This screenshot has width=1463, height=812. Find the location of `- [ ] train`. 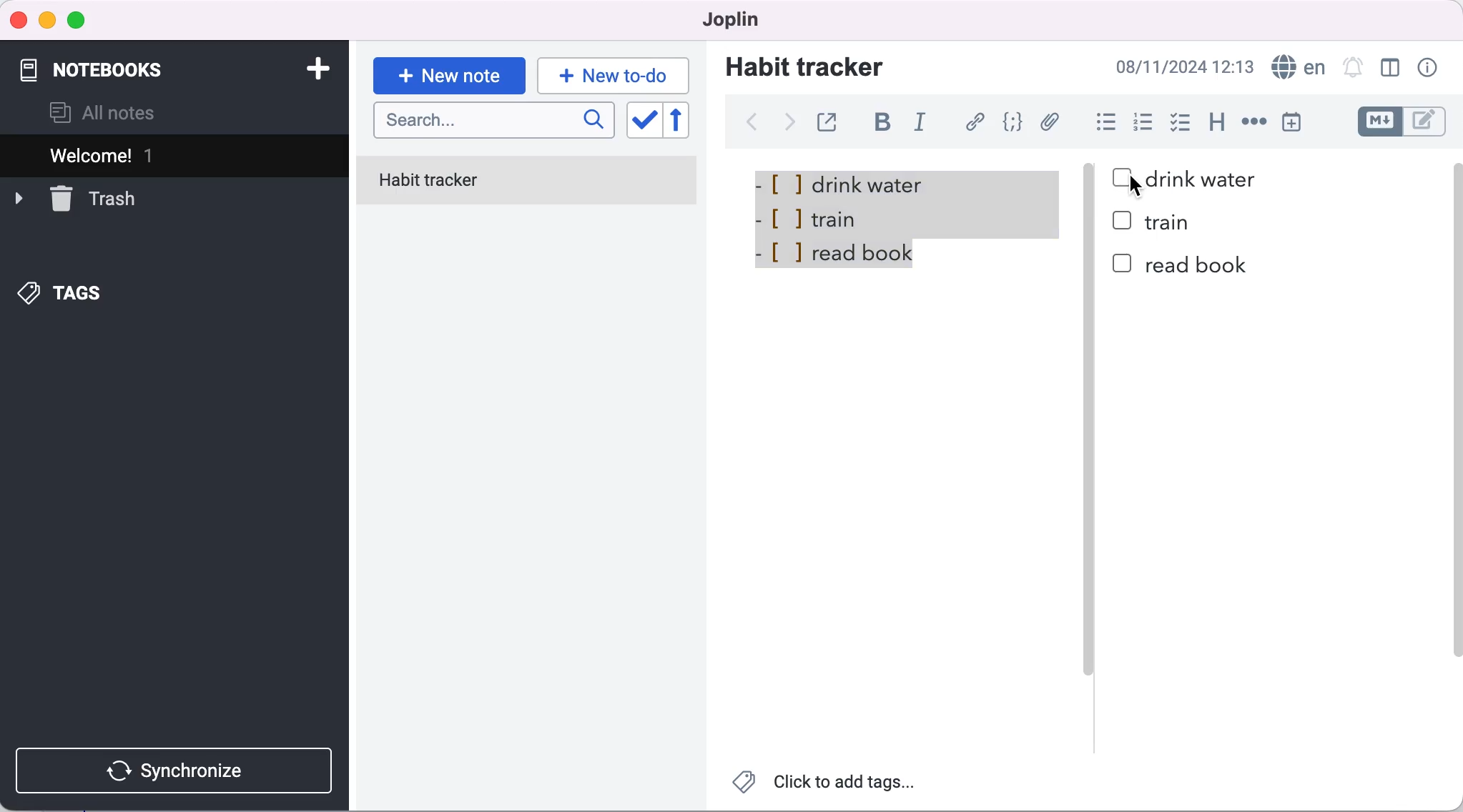

- [ ] train is located at coordinates (813, 216).